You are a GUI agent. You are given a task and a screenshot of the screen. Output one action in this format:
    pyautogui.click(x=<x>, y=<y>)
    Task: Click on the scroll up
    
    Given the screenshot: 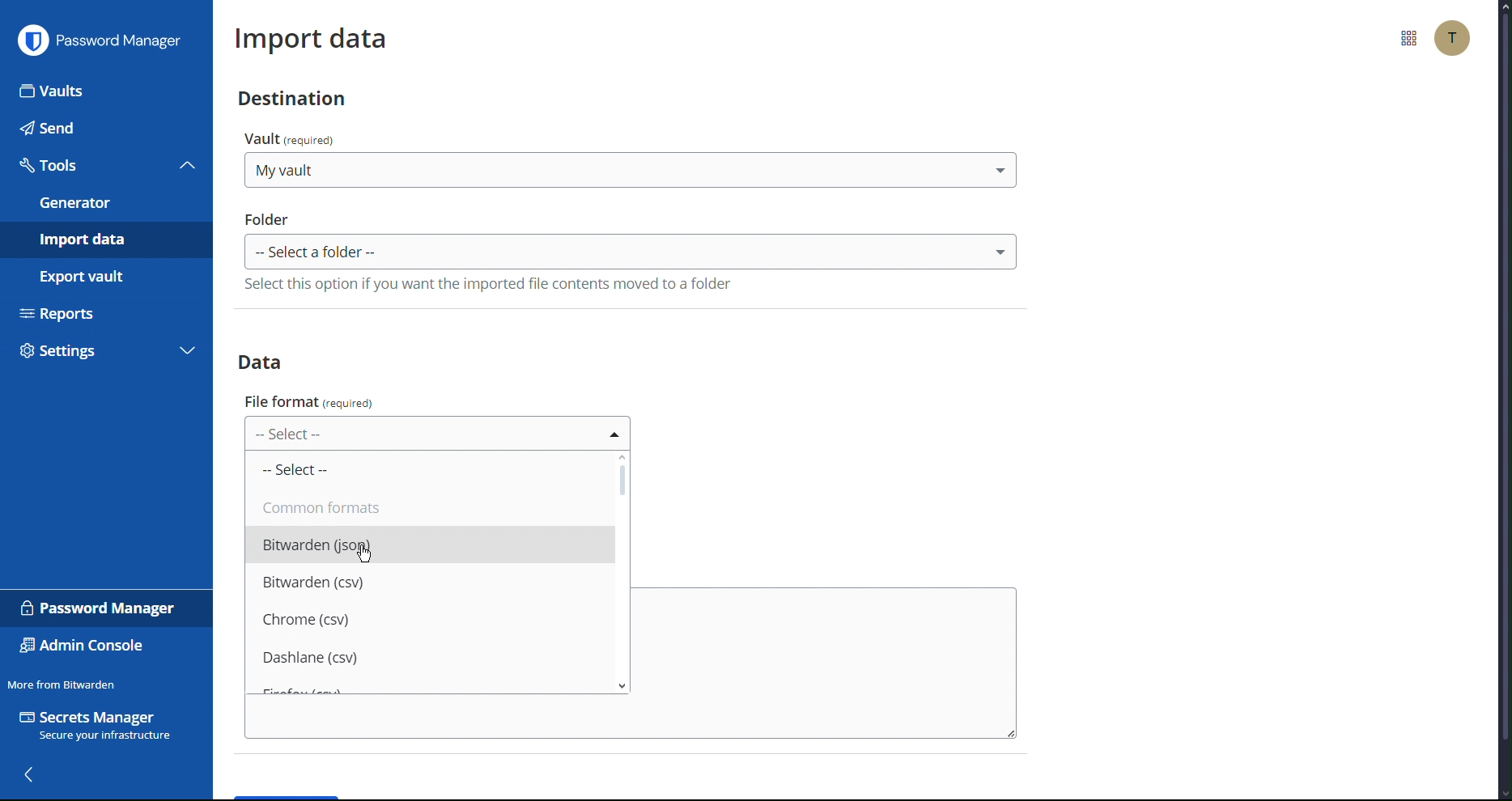 What is the action you would take?
    pyautogui.click(x=1502, y=6)
    